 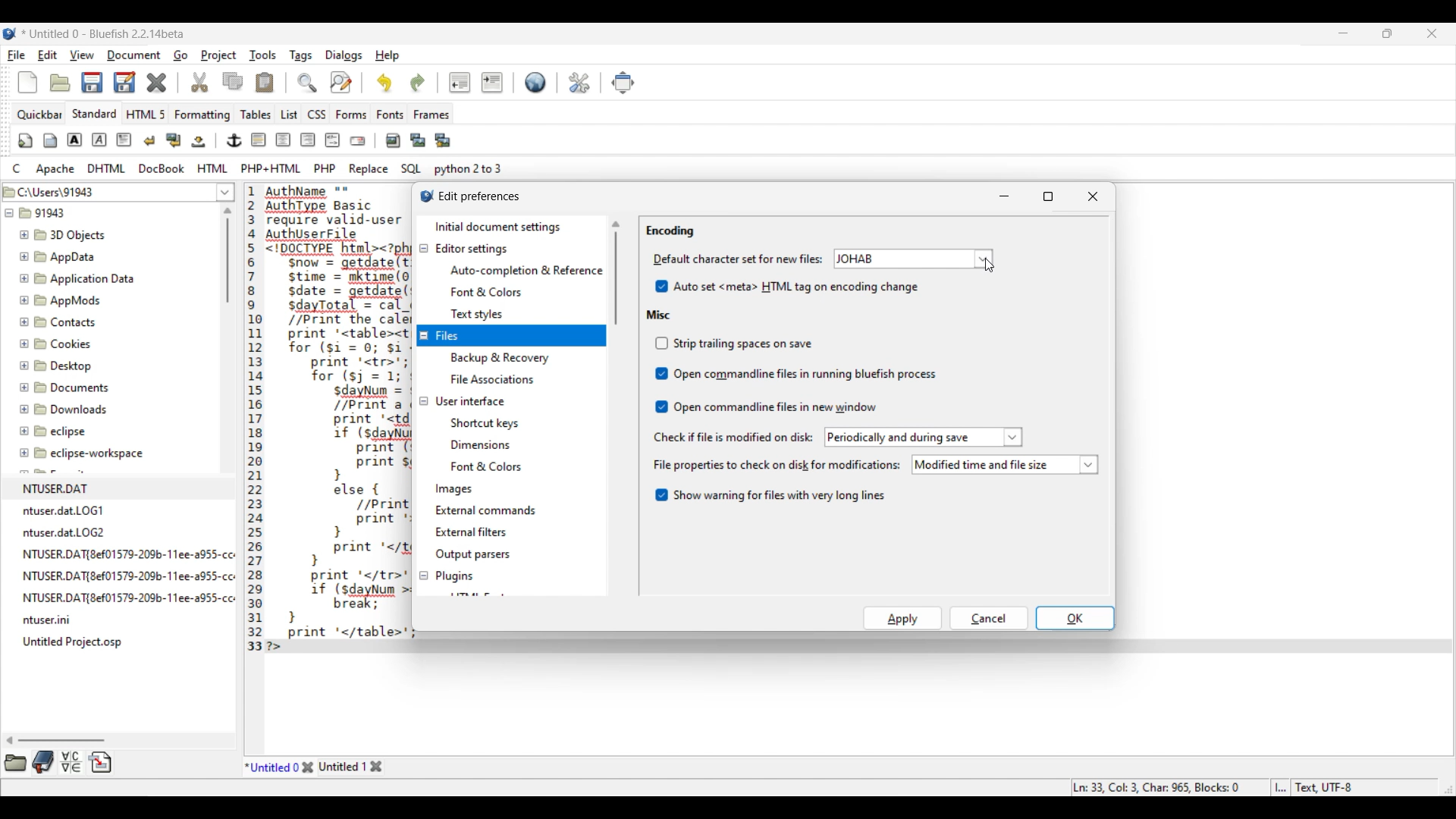 I want to click on Status bar, so click(x=1214, y=787).